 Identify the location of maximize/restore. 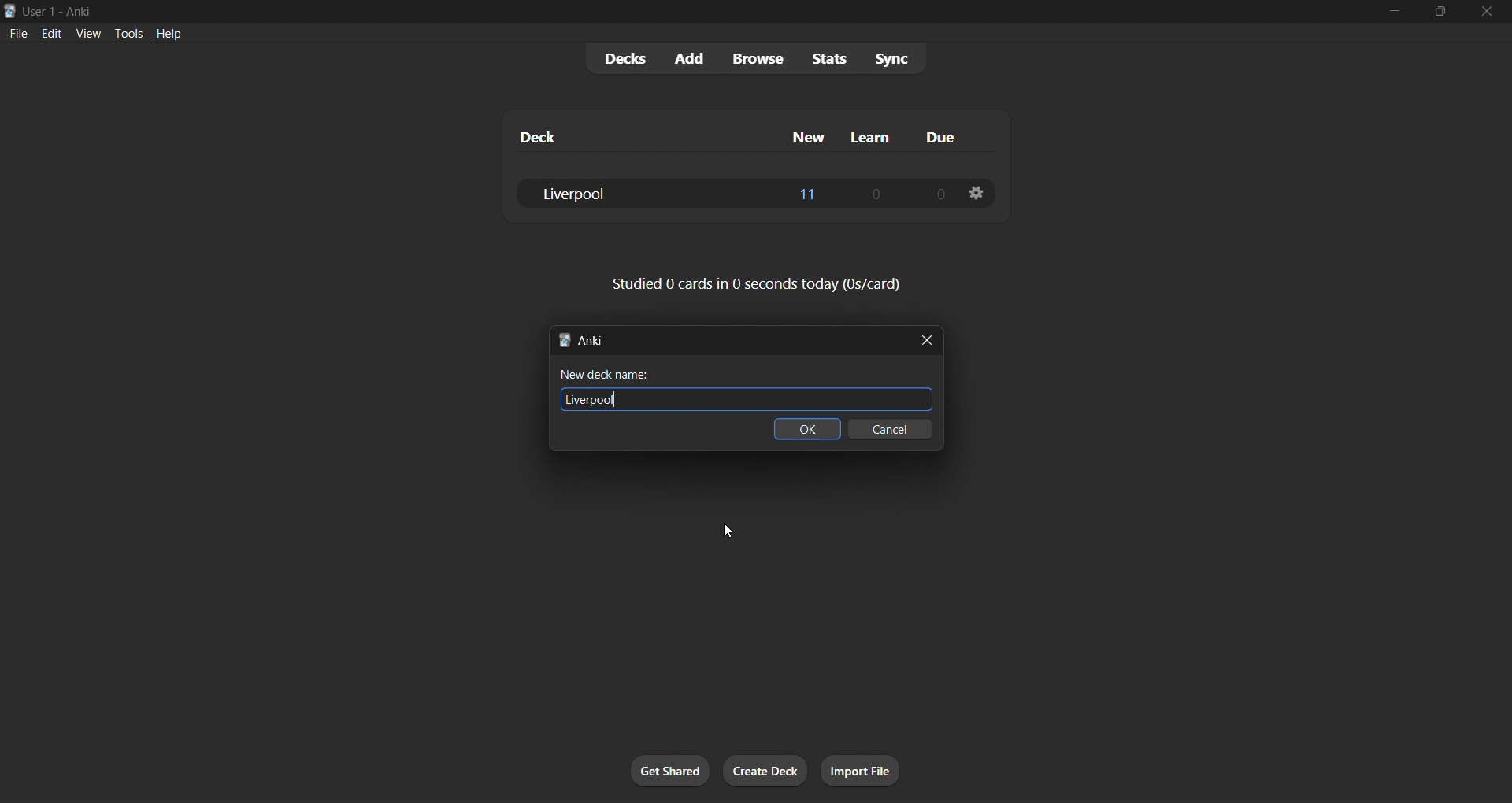
(1443, 12).